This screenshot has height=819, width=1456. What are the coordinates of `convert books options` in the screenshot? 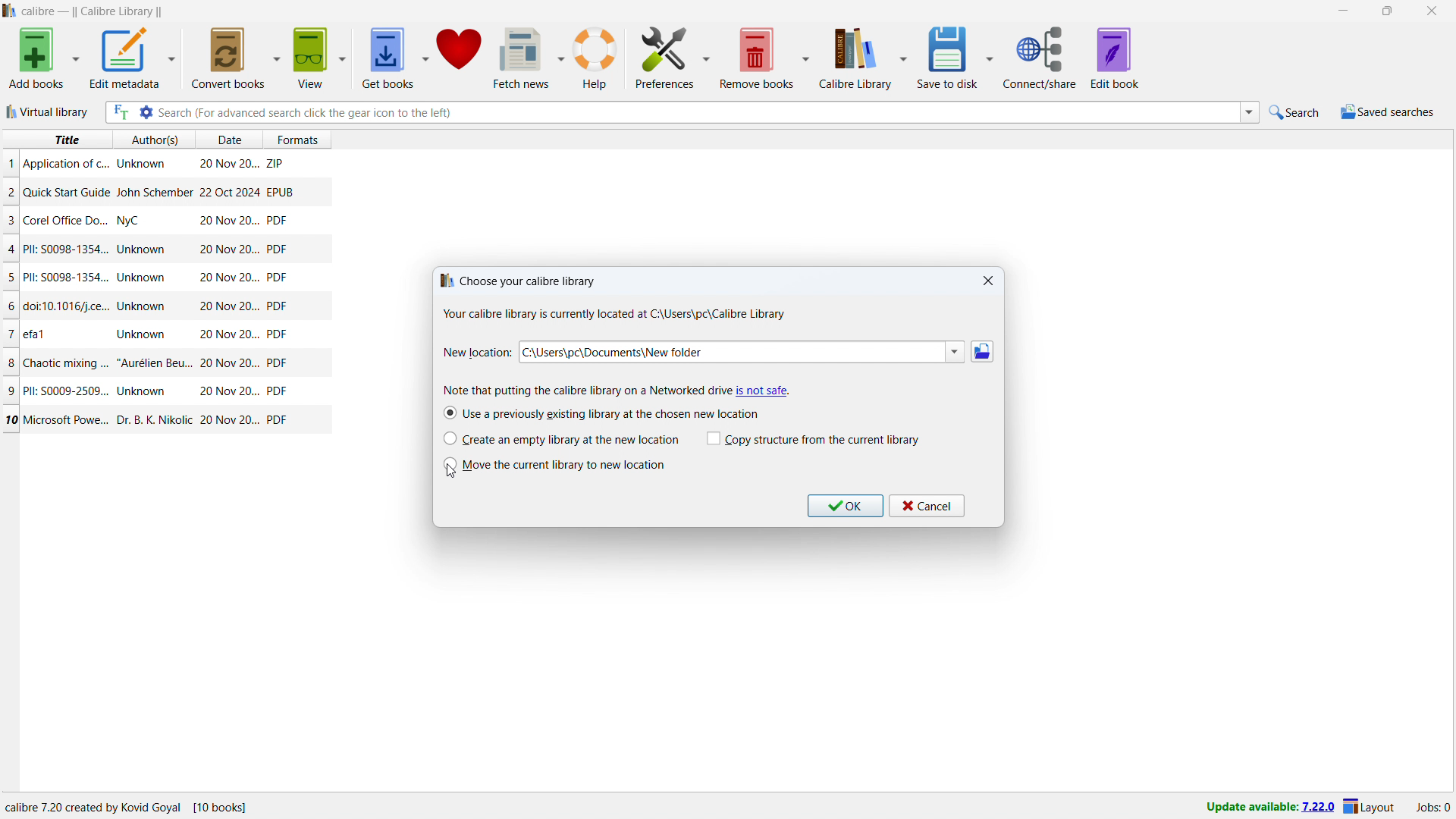 It's located at (278, 56).